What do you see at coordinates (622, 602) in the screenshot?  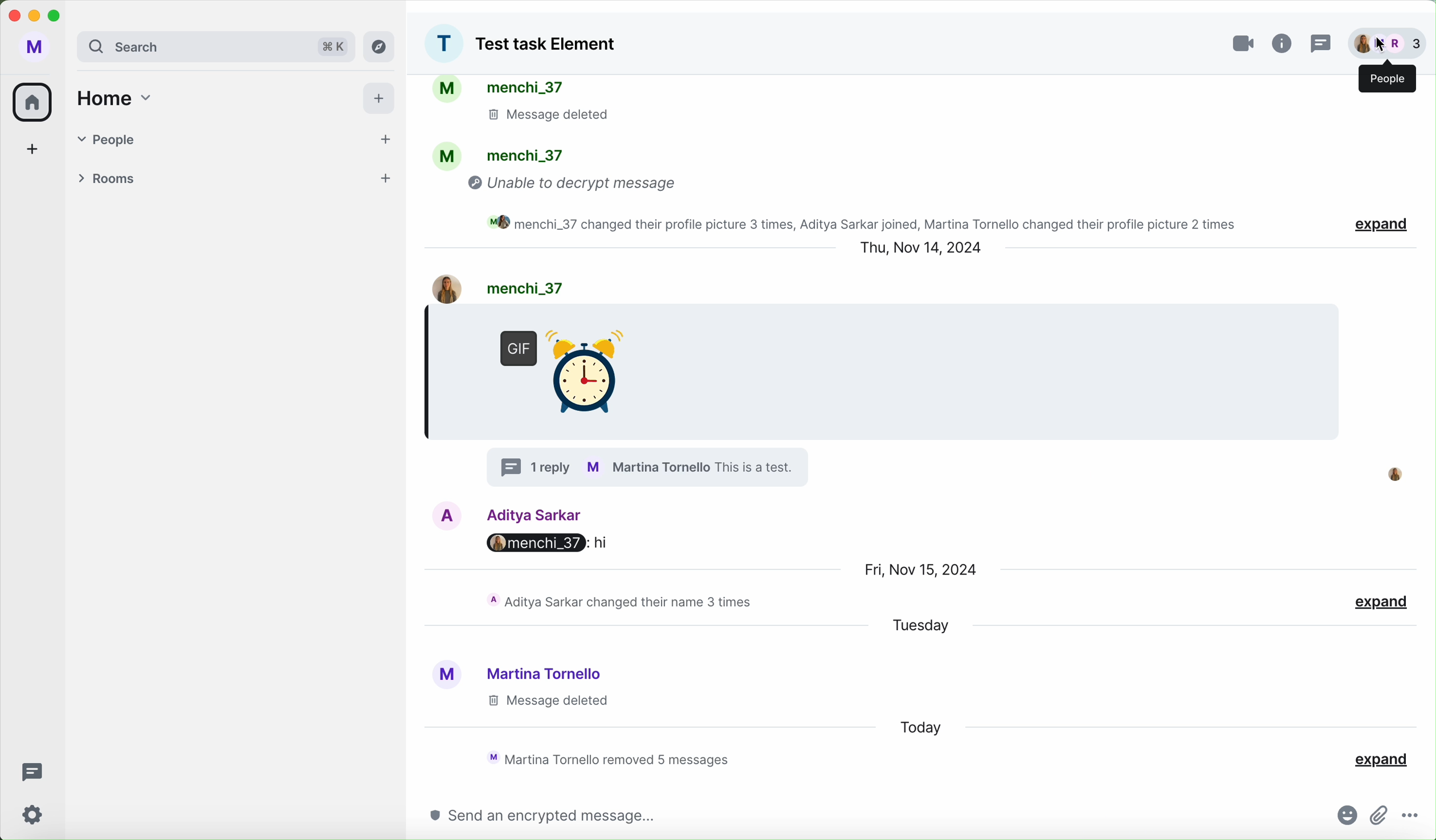 I see `activity chat` at bounding box center [622, 602].